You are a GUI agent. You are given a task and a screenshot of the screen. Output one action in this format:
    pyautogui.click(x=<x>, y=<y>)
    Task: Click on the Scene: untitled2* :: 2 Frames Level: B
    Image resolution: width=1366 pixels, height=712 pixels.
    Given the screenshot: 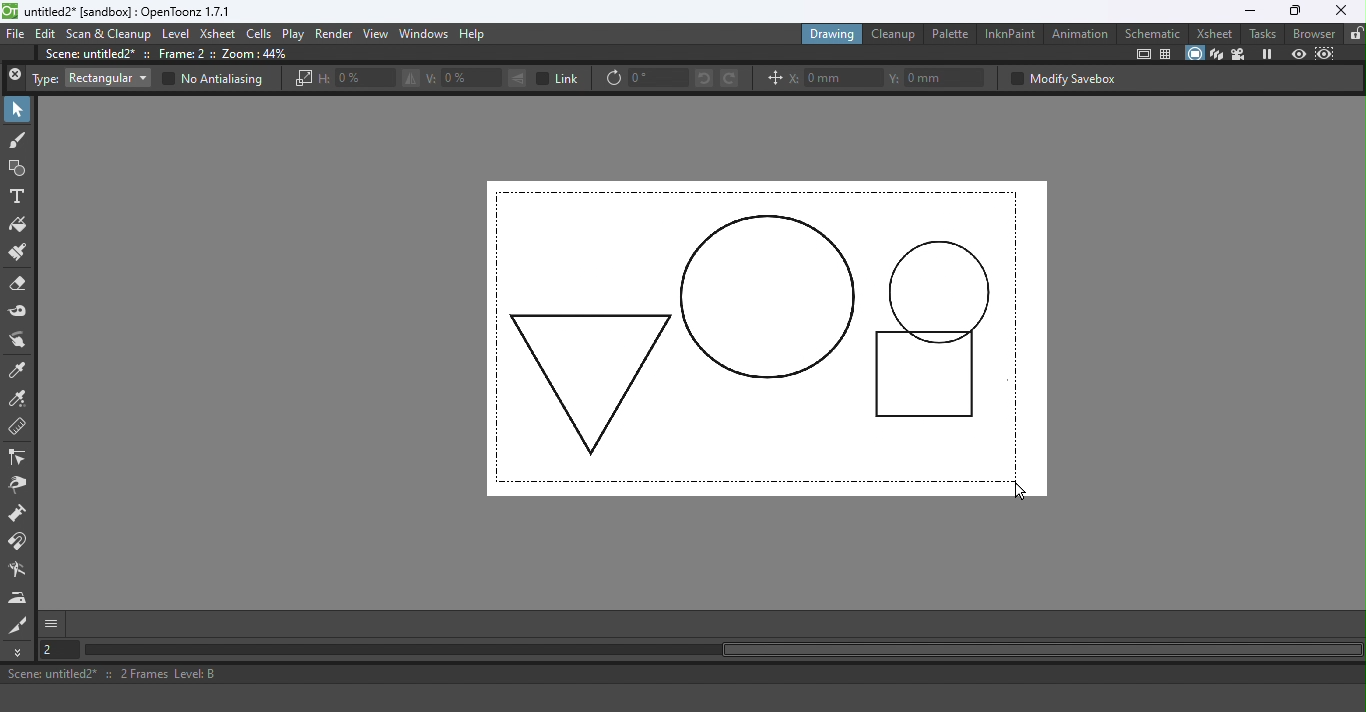 What is the action you would take?
    pyautogui.click(x=681, y=675)
    